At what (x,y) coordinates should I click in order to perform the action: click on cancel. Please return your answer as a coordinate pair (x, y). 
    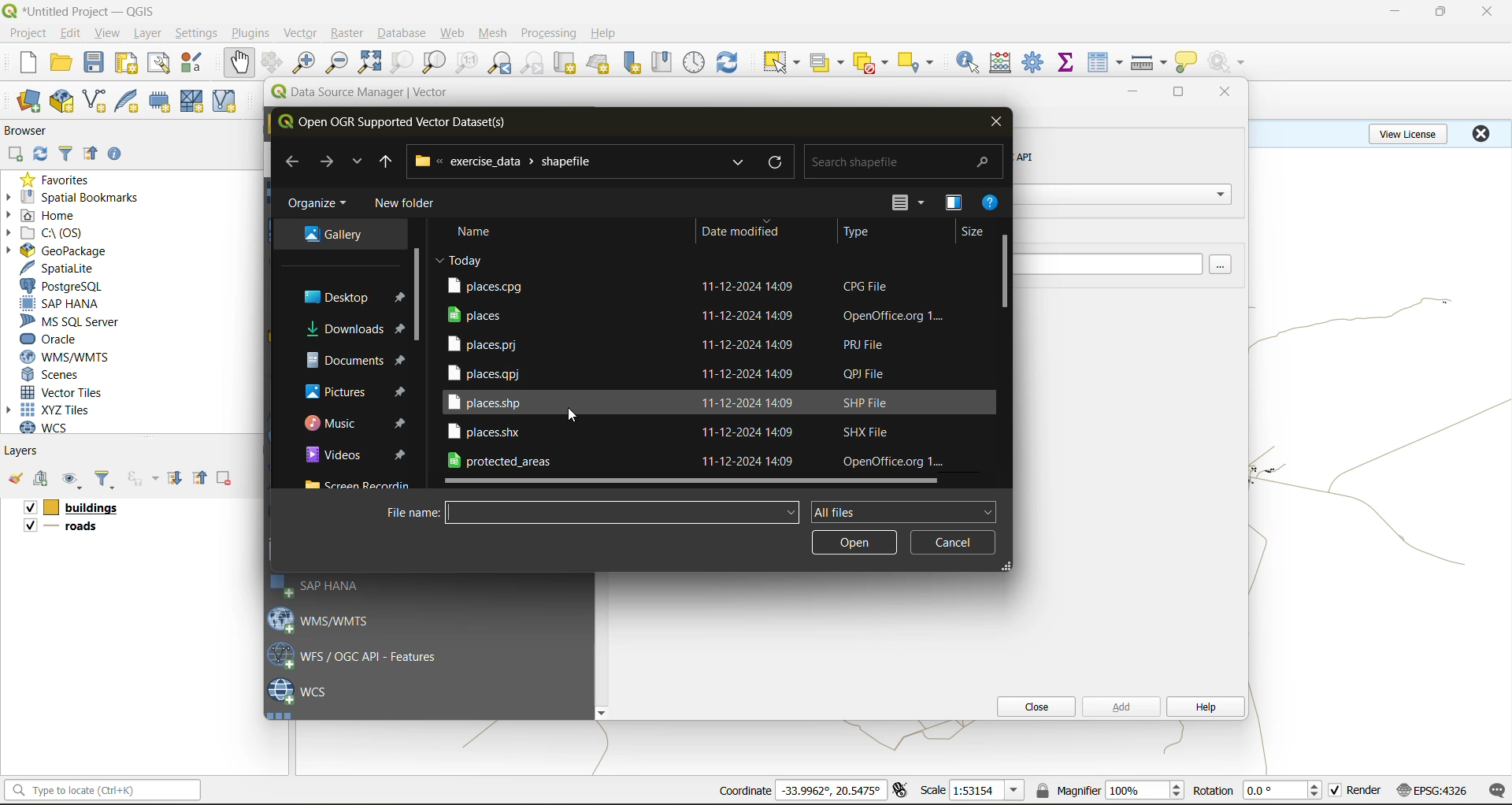
    Looking at the image, I should click on (952, 542).